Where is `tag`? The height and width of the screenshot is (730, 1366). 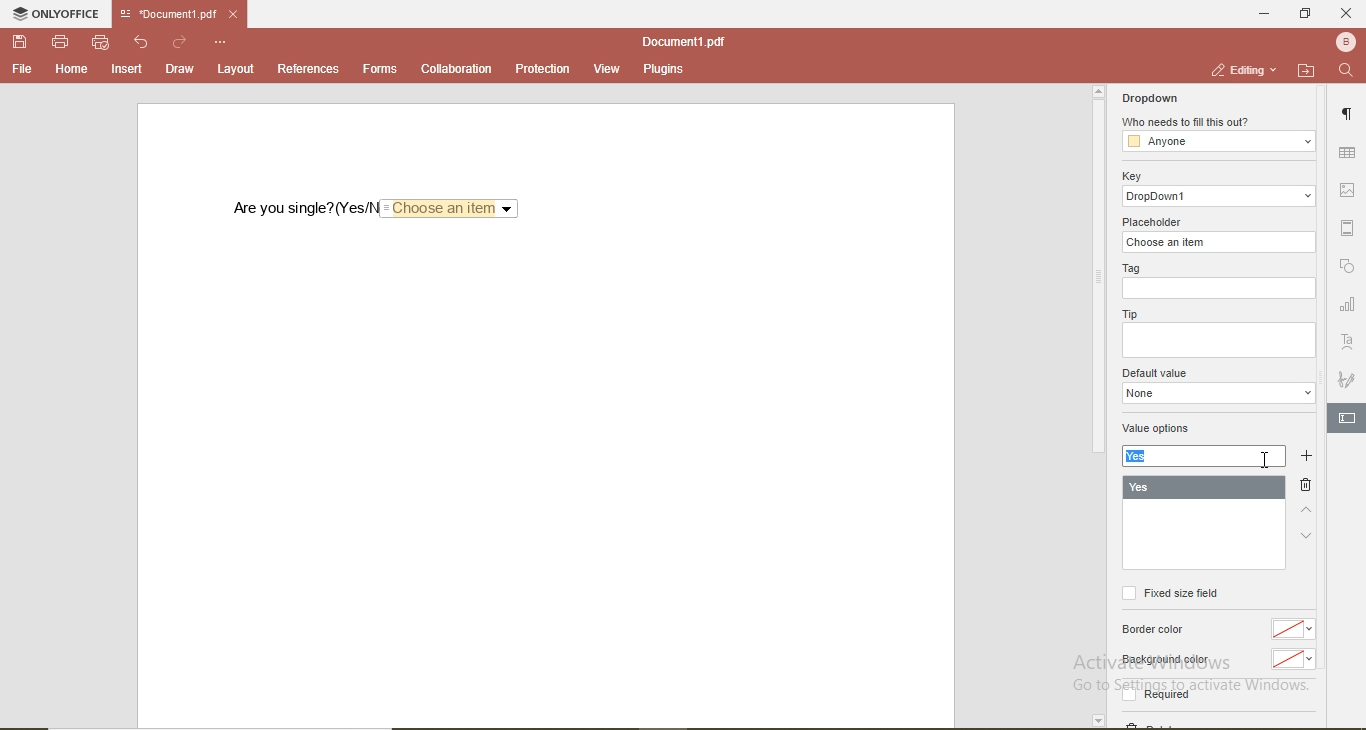
tag is located at coordinates (1131, 268).